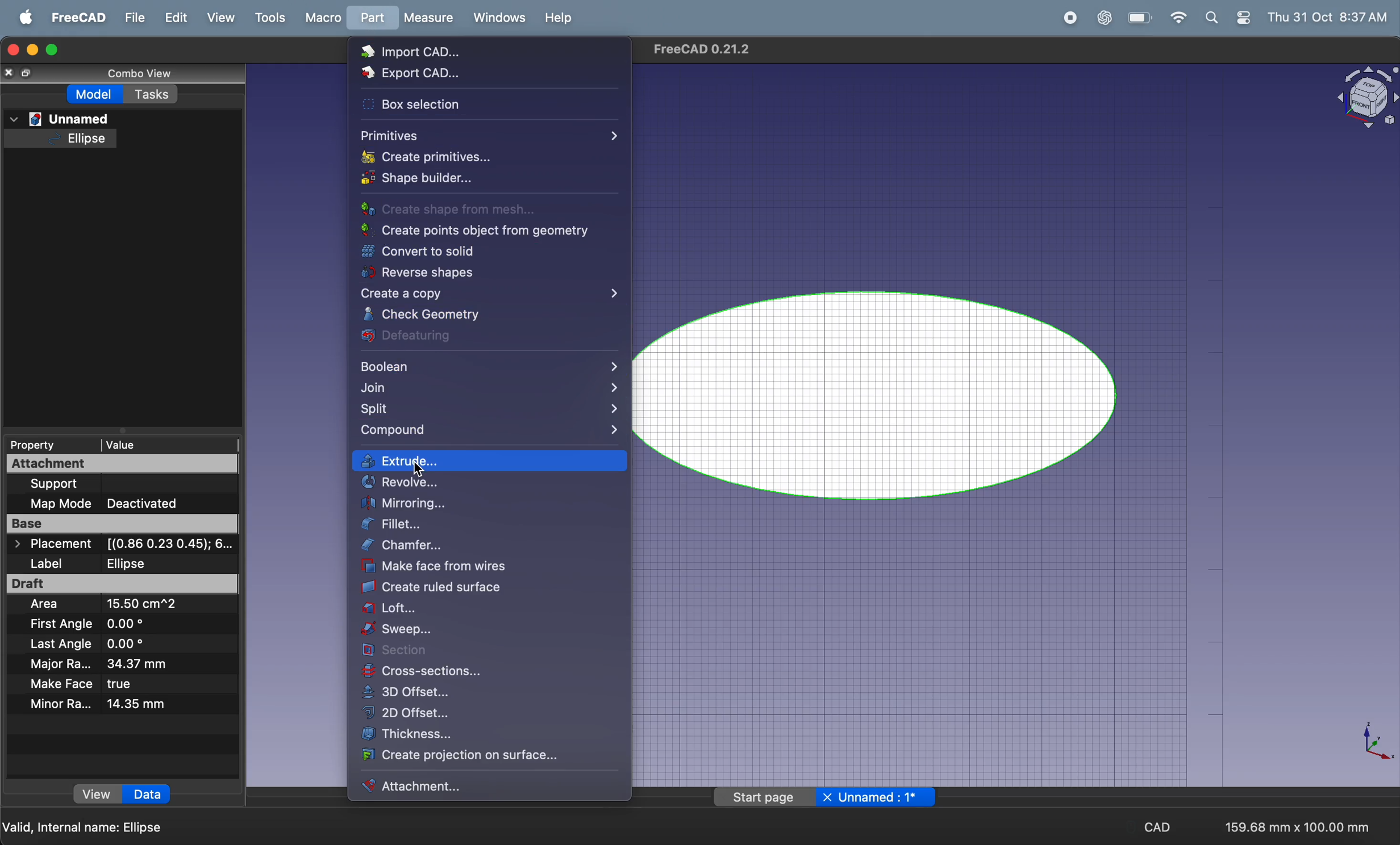  What do you see at coordinates (481, 461) in the screenshot?
I see `extrude` at bounding box center [481, 461].